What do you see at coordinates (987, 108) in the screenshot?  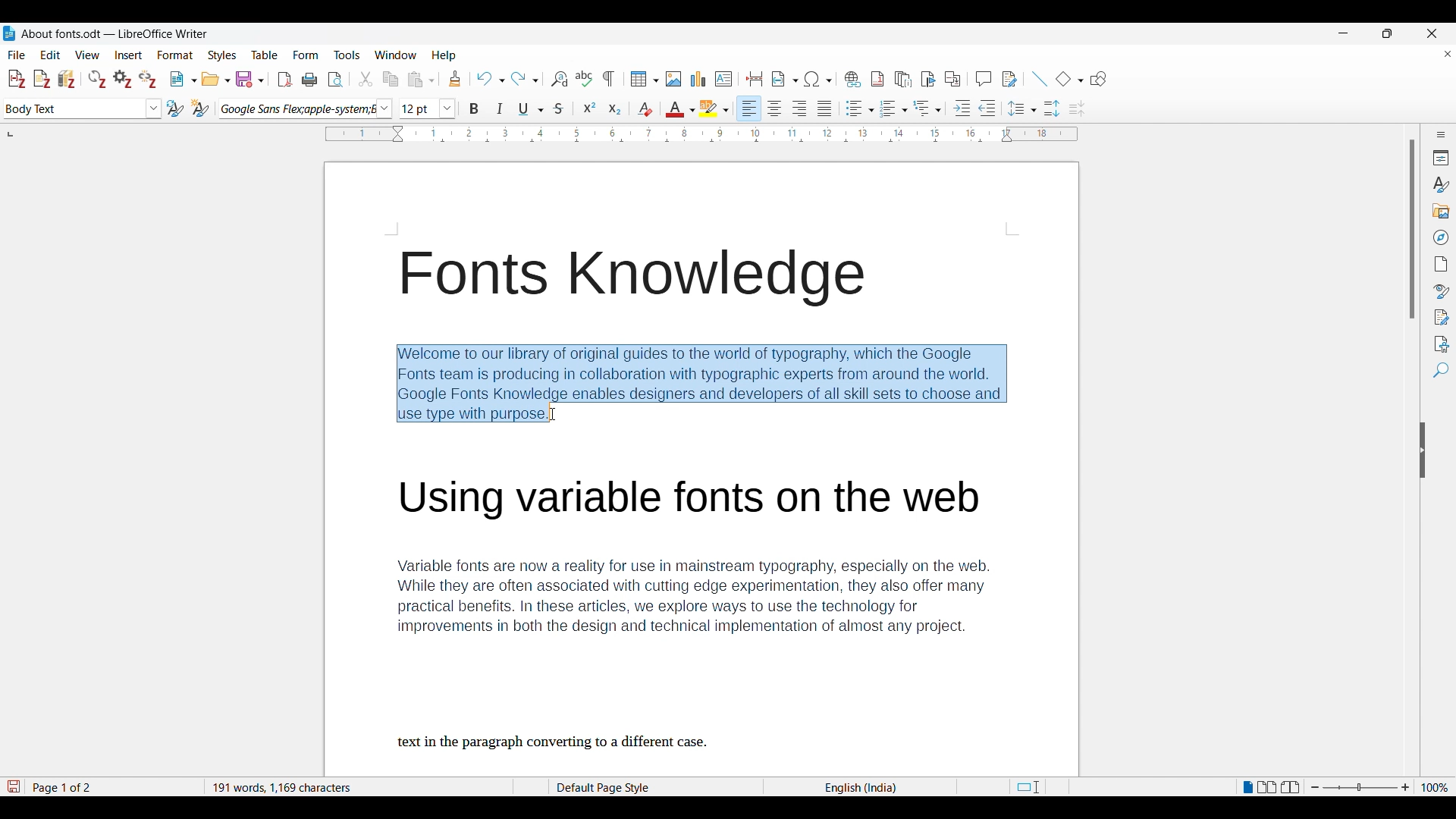 I see `Decrease indent` at bounding box center [987, 108].